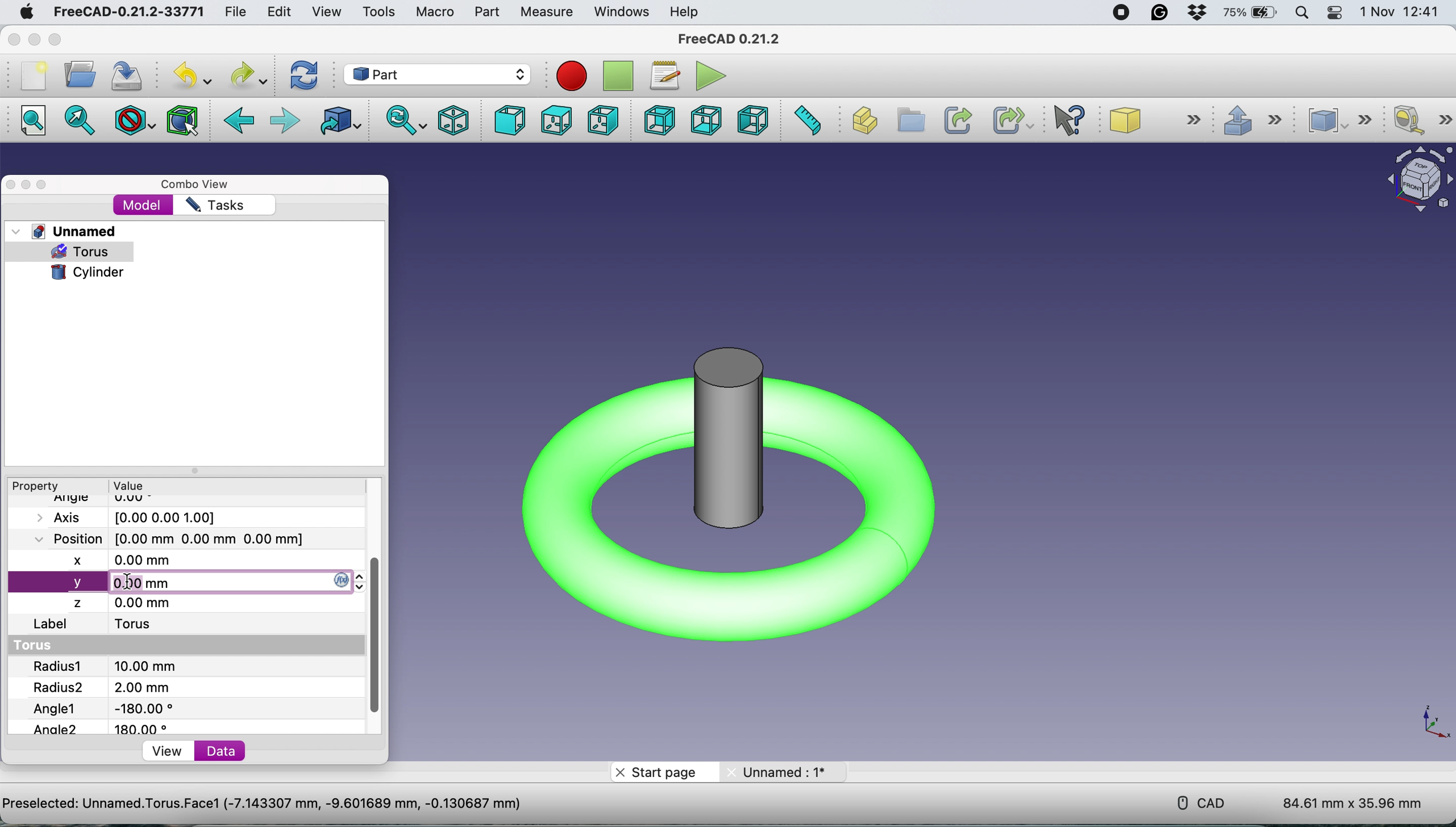 The width and height of the screenshot is (1456, 827). I want to click on file, so click(236, 12).